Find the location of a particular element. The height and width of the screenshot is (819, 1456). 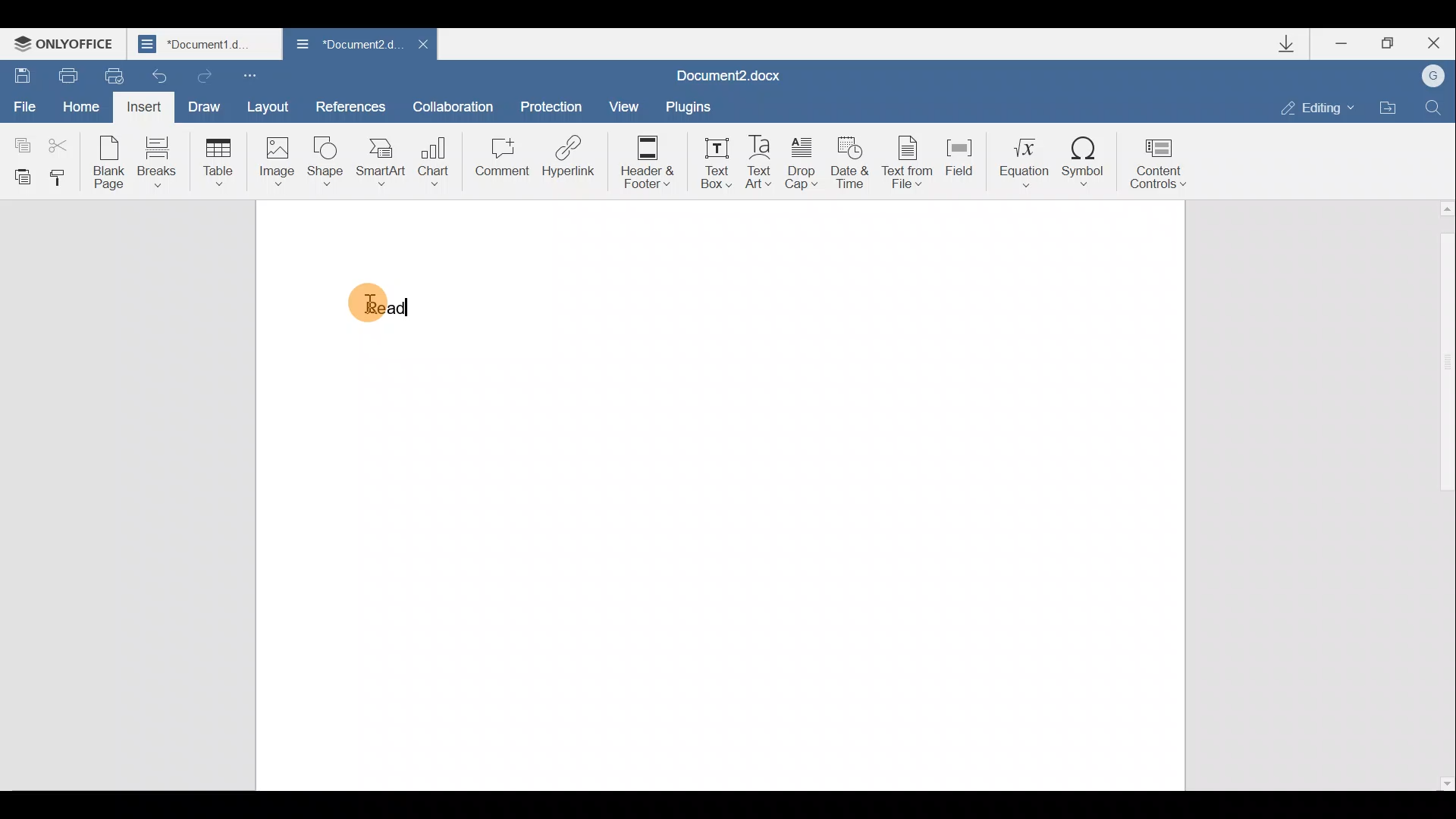

Layout is located at coordinates (276, 109).